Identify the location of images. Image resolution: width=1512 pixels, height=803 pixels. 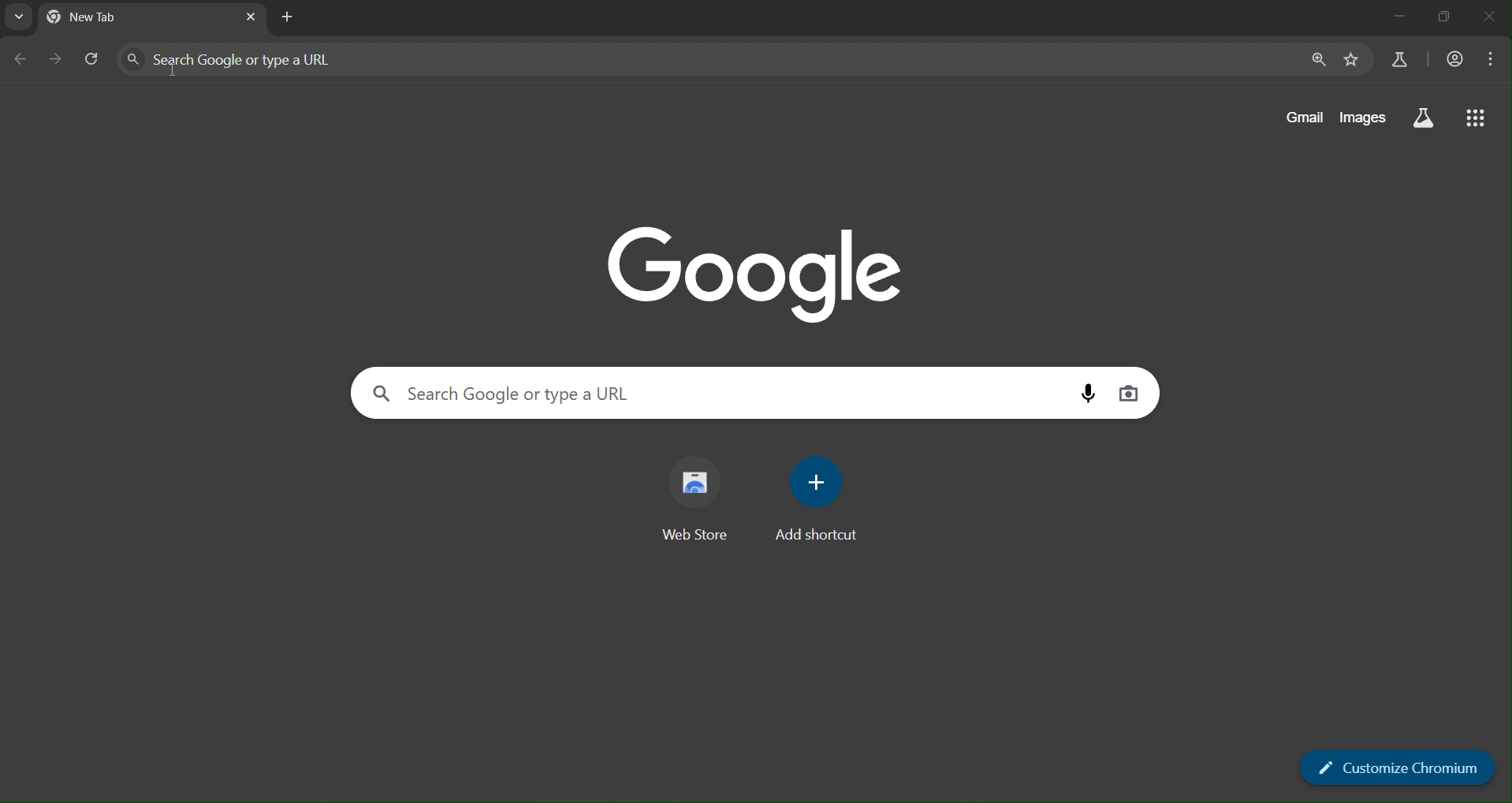
(1365, 119).